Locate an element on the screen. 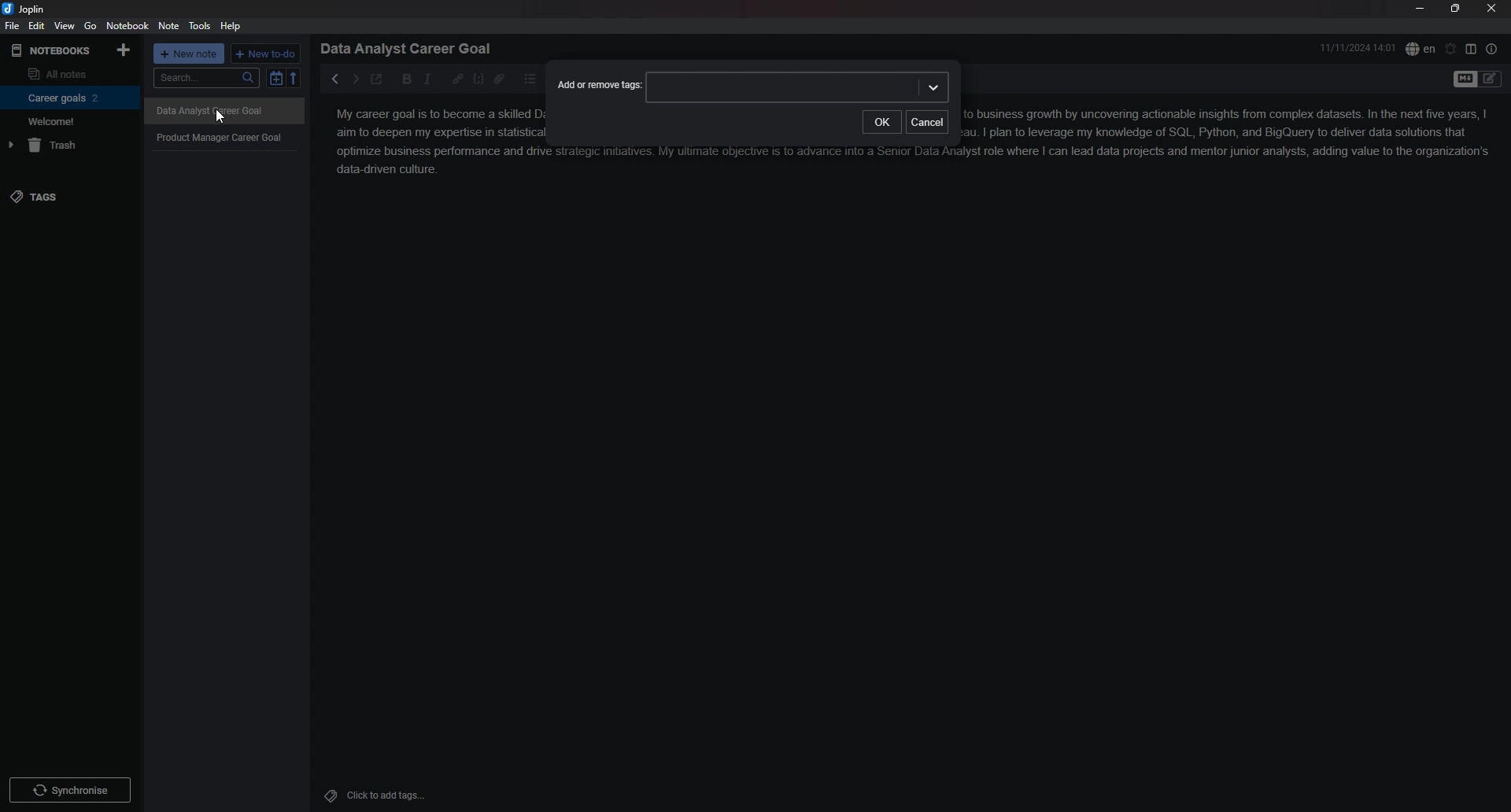  italic is located at coordinates (427, 79).